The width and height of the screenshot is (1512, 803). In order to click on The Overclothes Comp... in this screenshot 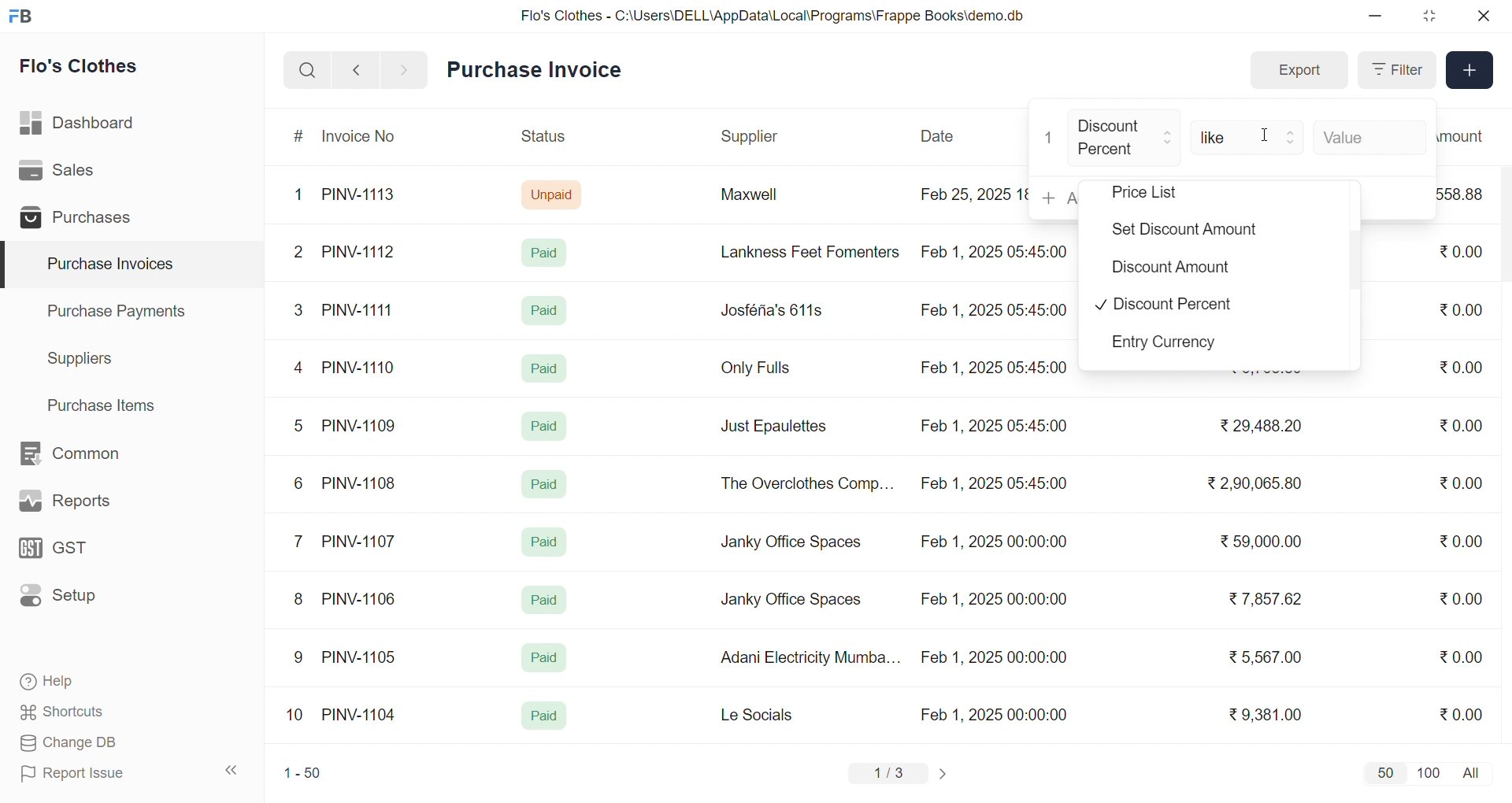, I will do `click(805, 483)`.